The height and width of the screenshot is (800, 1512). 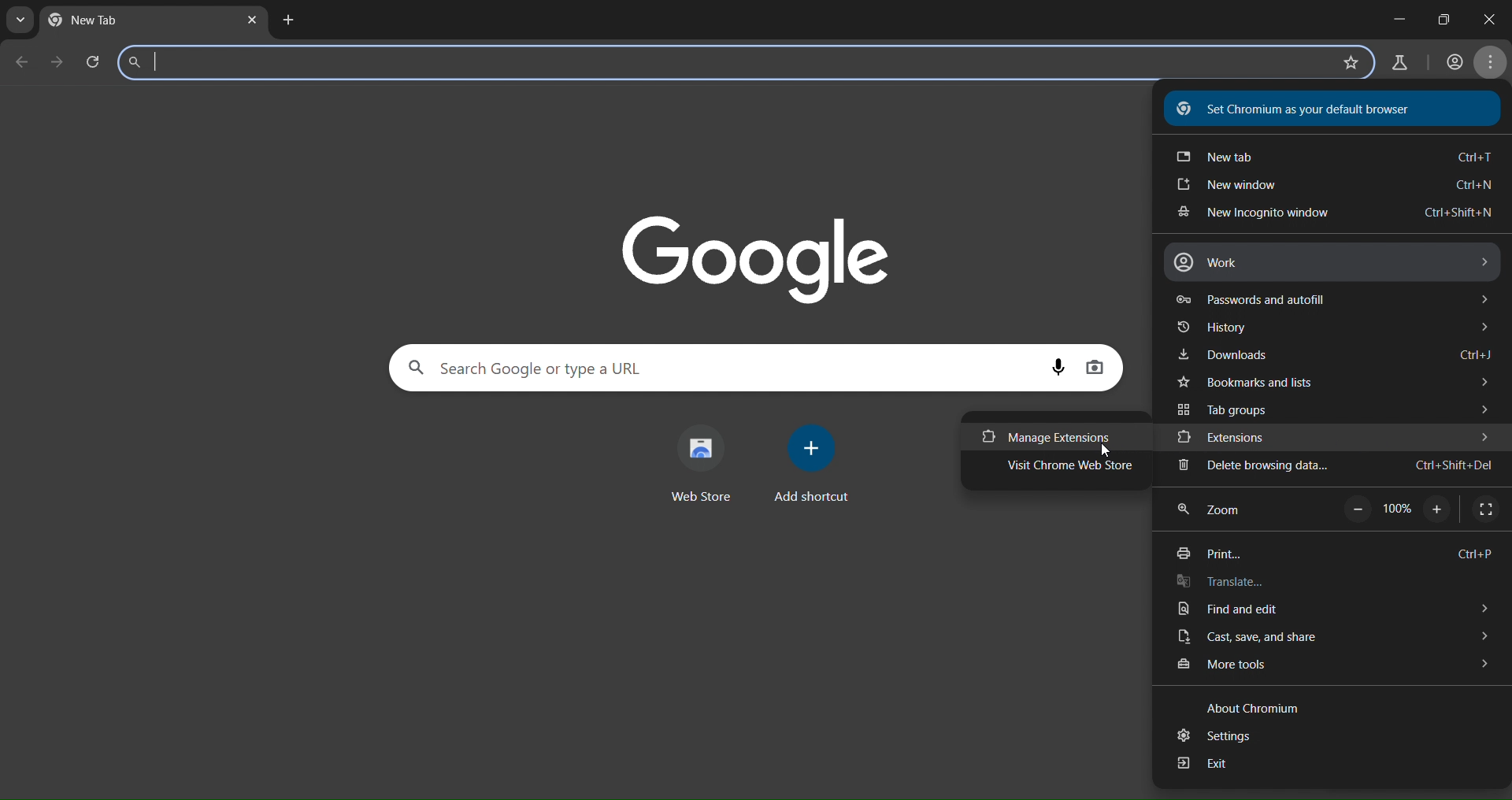 What do you see at coordinates (1332, 156) in the screenshot?
I see `new tab` at bounding box center [1332, 156].